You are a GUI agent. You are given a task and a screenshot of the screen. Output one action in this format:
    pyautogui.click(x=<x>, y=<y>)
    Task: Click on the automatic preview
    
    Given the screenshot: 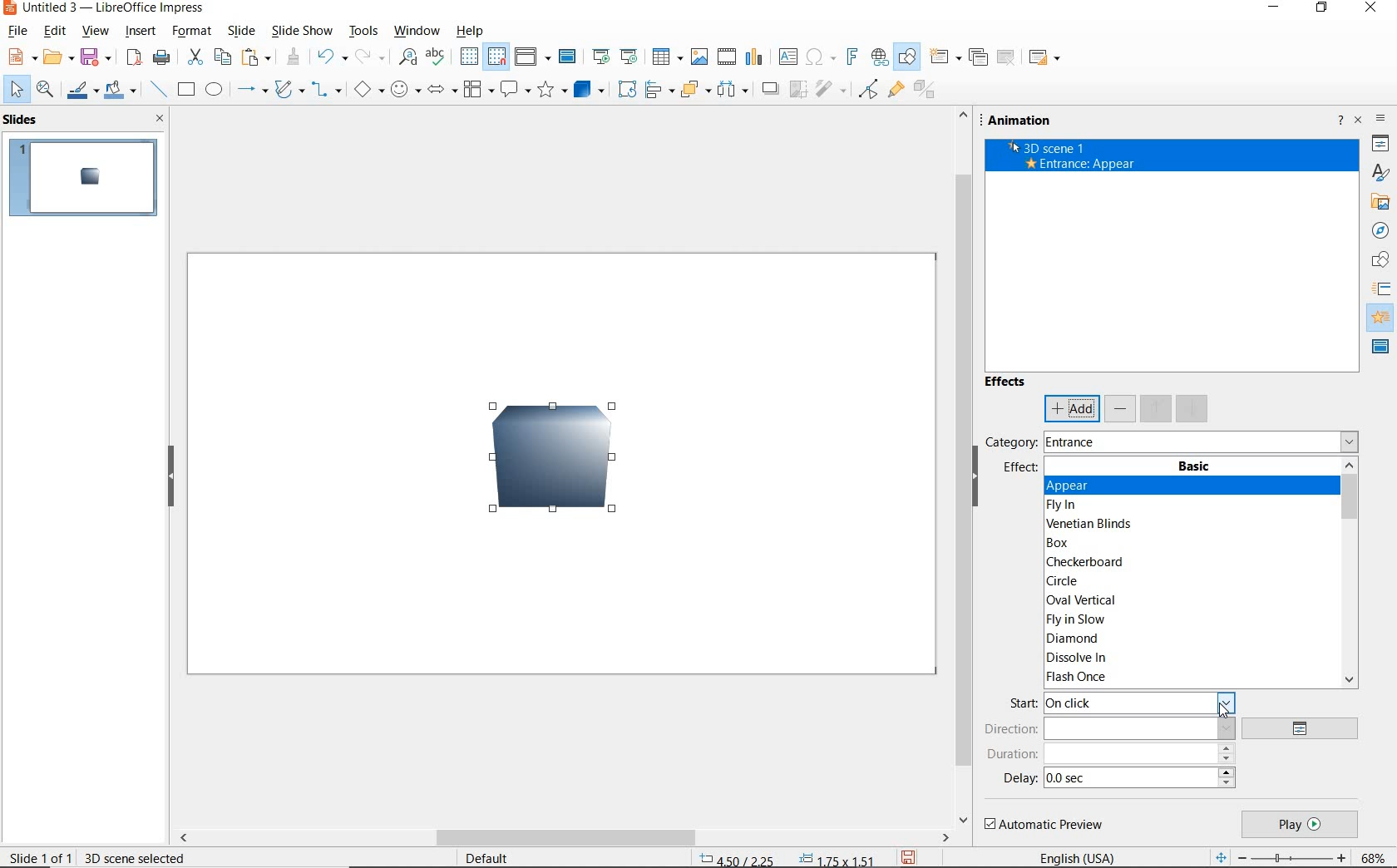 What is the action you would take?
    pyautogui.click(x=1045, y=825)
    